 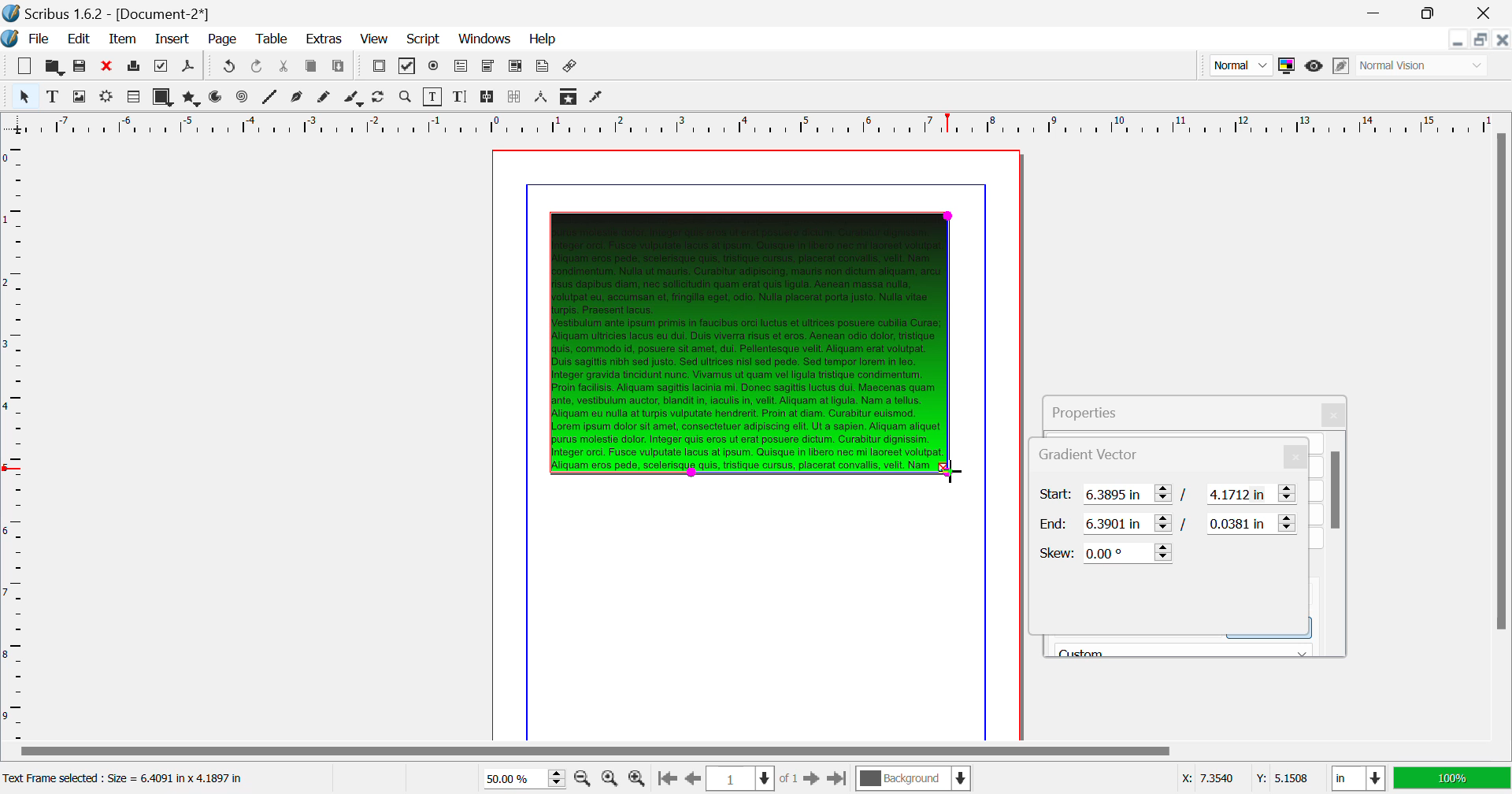 I want to click on Last Page, so click(x=836, y=779).